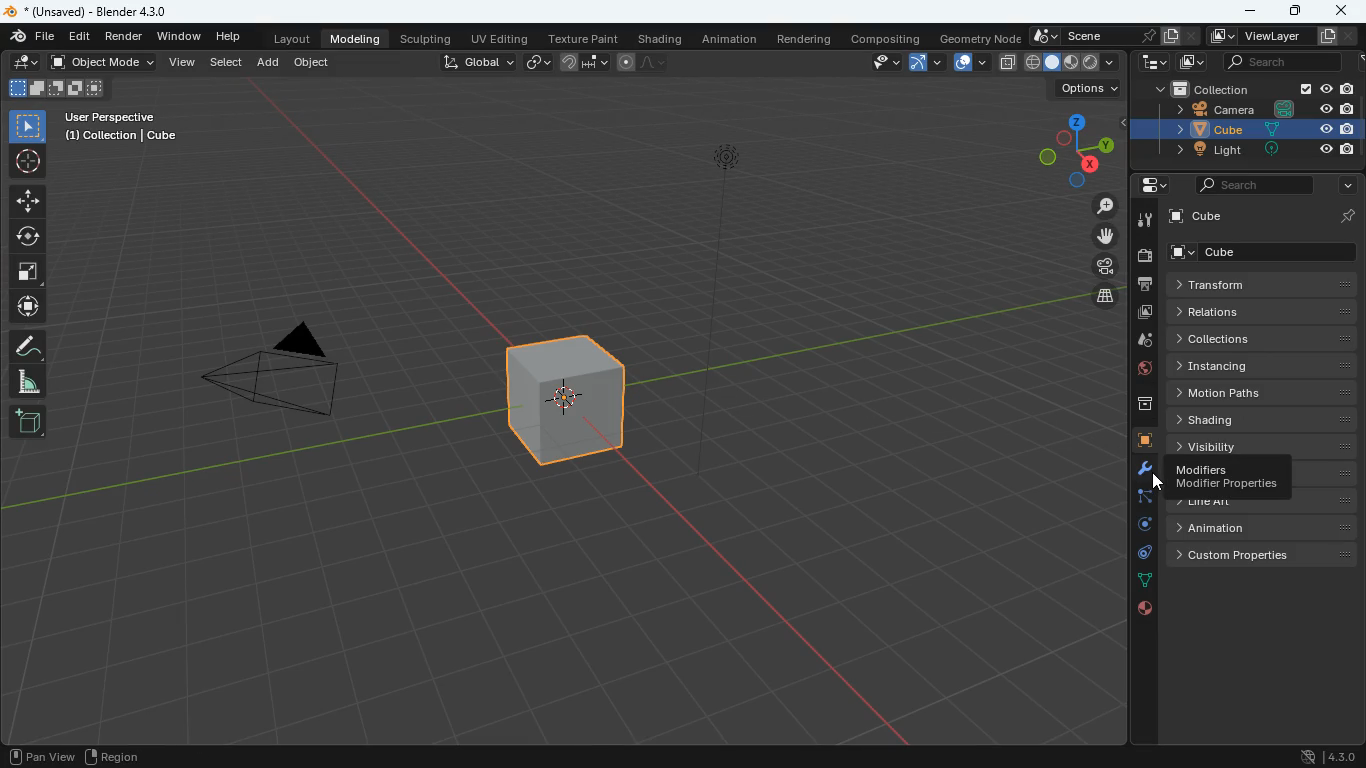  I want to click on movie, so click(1107, 267).